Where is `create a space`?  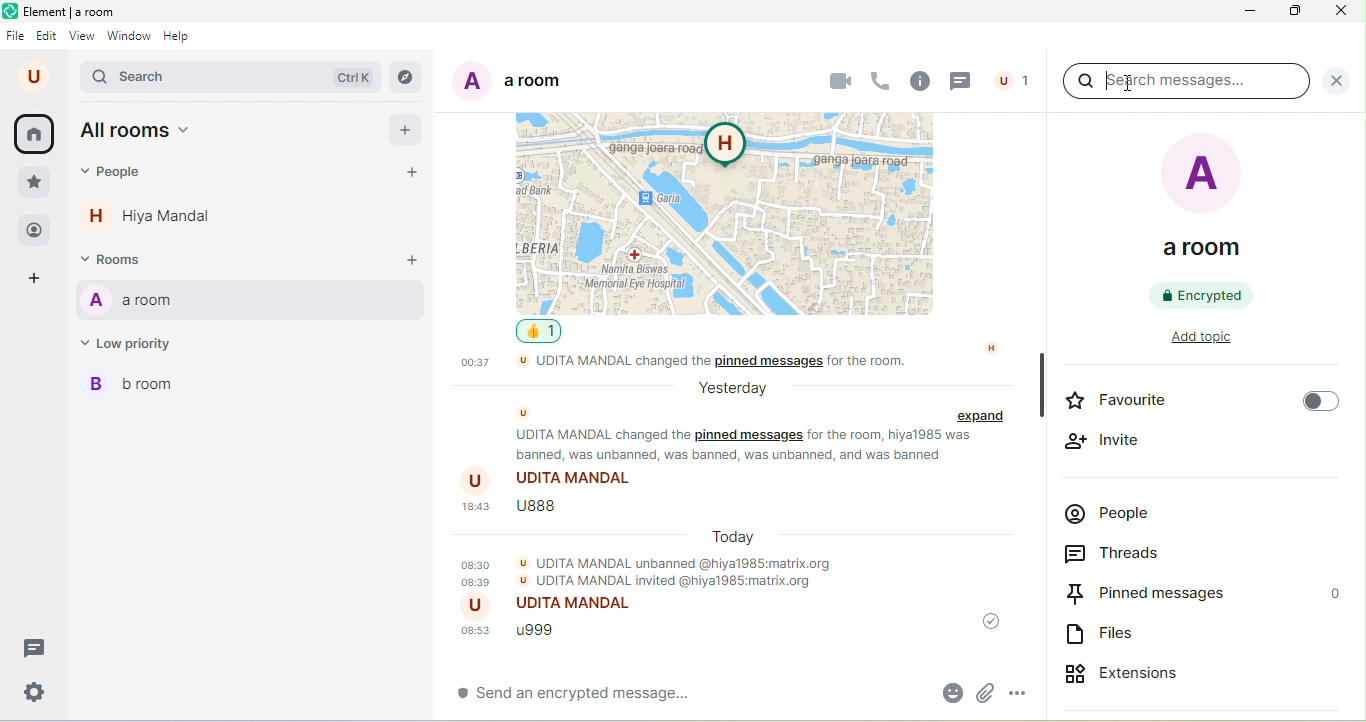 create a space is located at coordinates (42, 280).